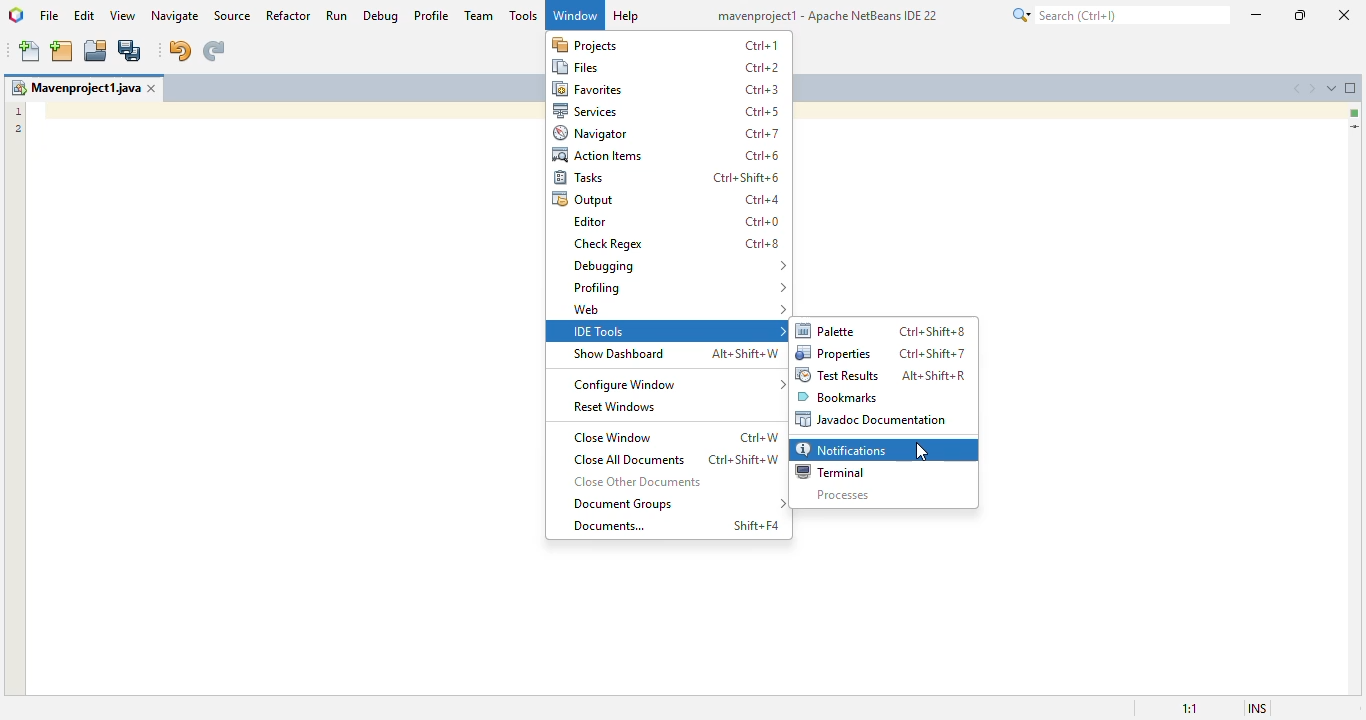 This screenshot has height=720, width=1366. I want to click on minimize, so click(1256, 13).